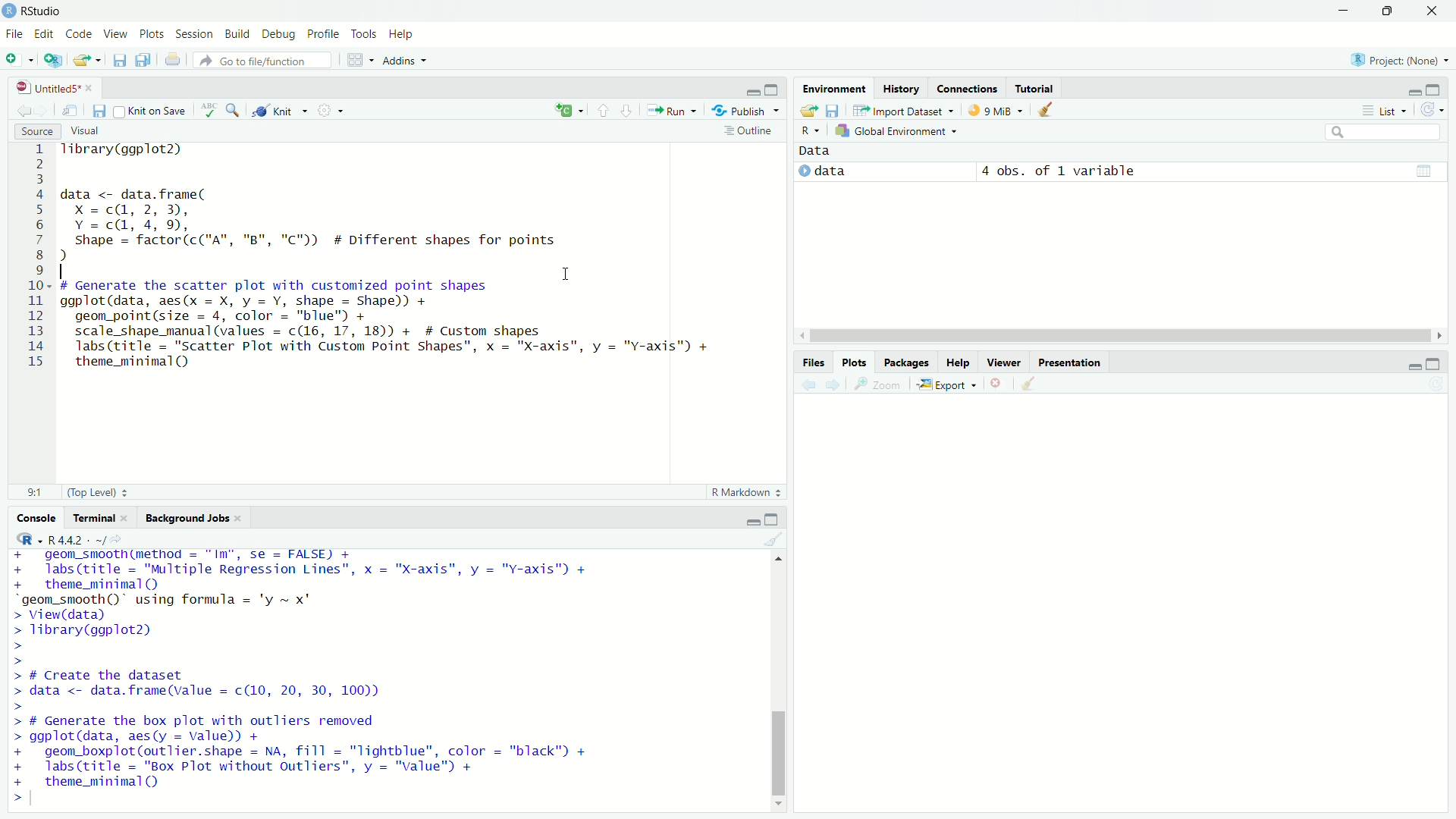 Image resolution: width=1456 pixels, height=819 pixels. What do you see at coordinates (209, 109) in the screenshot?
I see `Check spelling in the document` at bounding box center [209, 109].